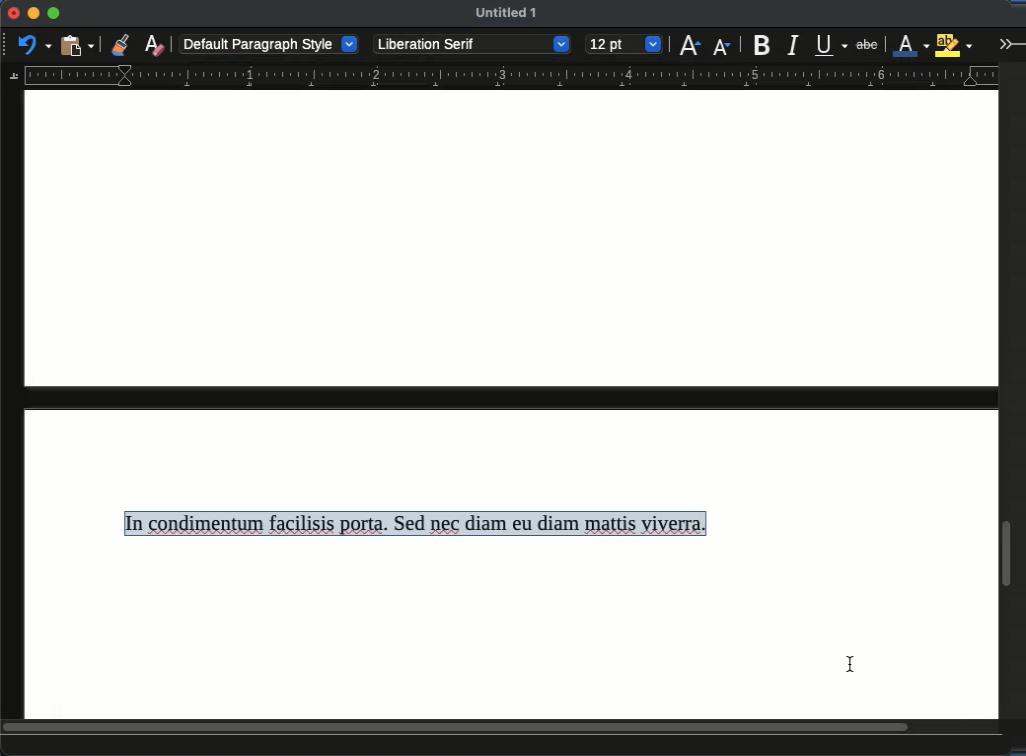 The height and width of the screenshot is (756, 1026). What do you see at coordinates (689, 44) in the screenshot?
I see `increase size` at bounding box center [689, 44].